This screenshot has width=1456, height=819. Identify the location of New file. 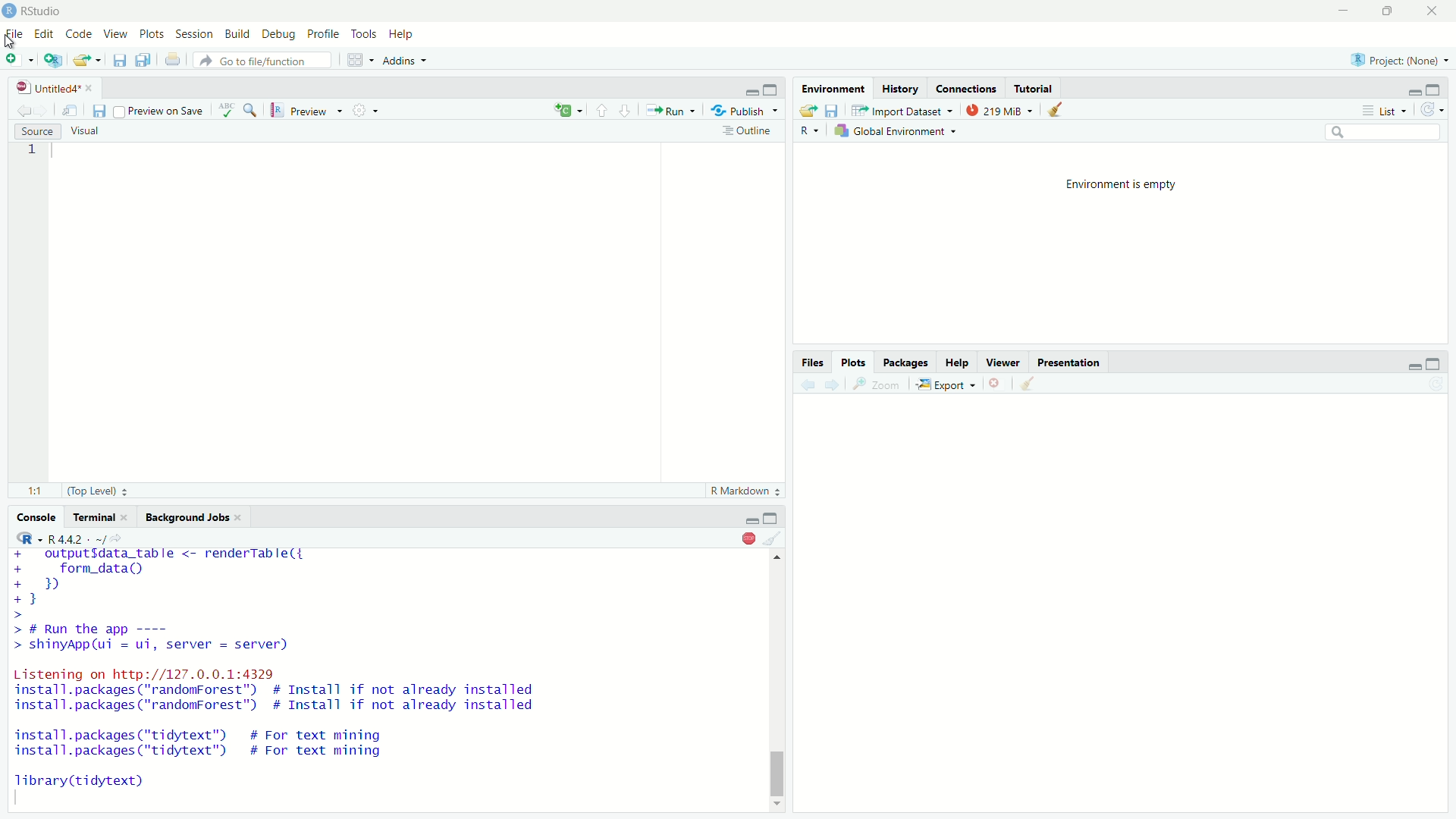
(18, 59).